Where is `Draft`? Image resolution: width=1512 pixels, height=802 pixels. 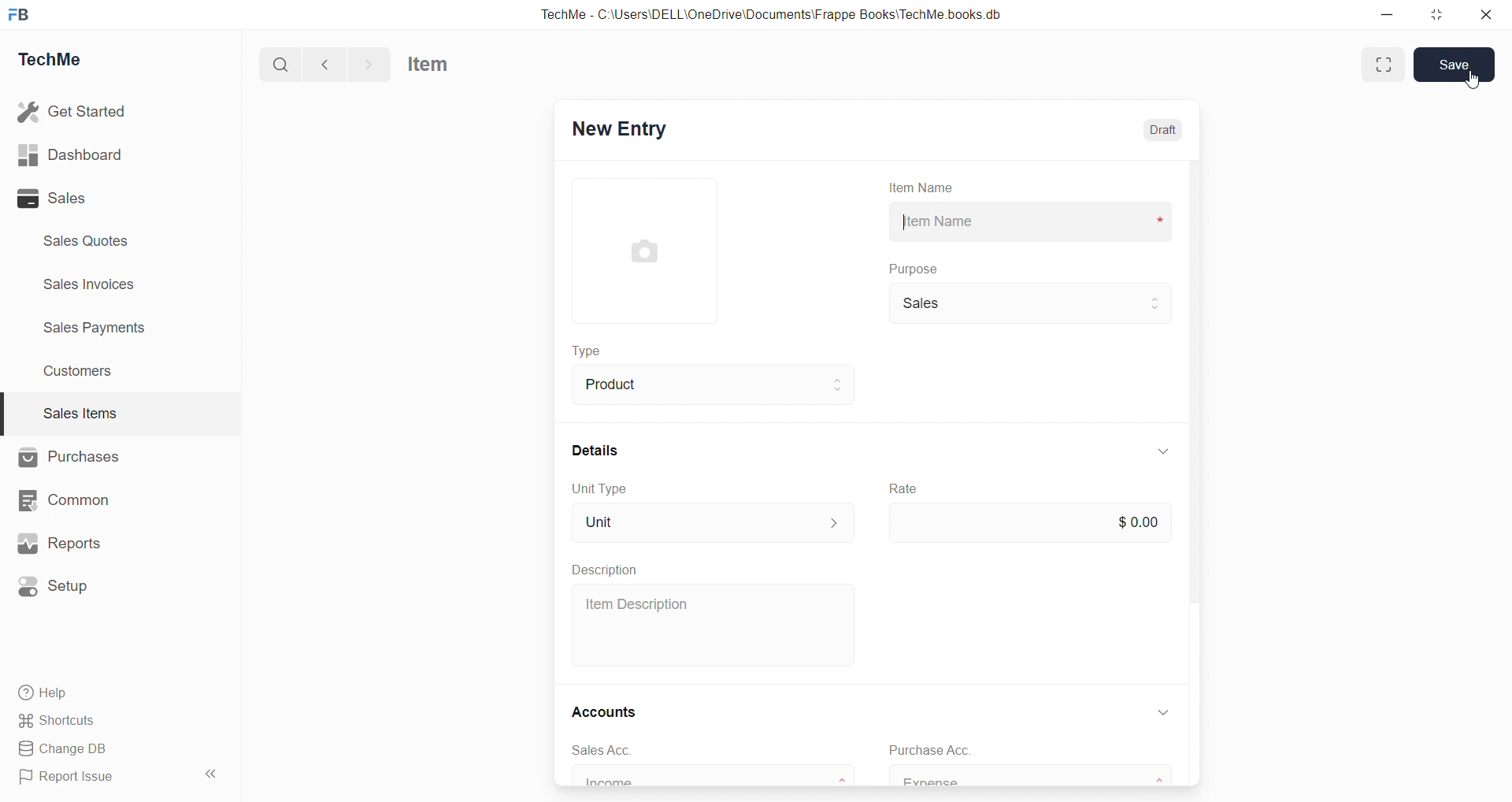 Draft is located at coordinates (1164, 129).